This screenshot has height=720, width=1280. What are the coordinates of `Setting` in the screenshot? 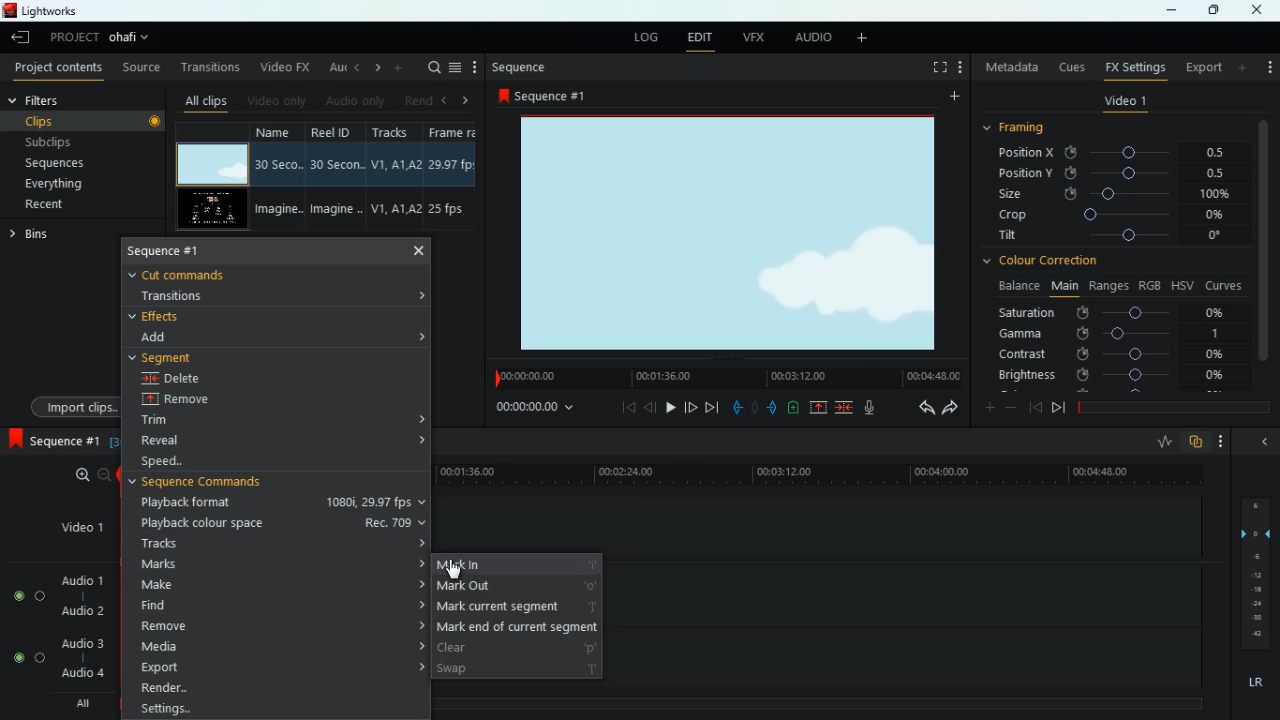 It's located at (960, 67).